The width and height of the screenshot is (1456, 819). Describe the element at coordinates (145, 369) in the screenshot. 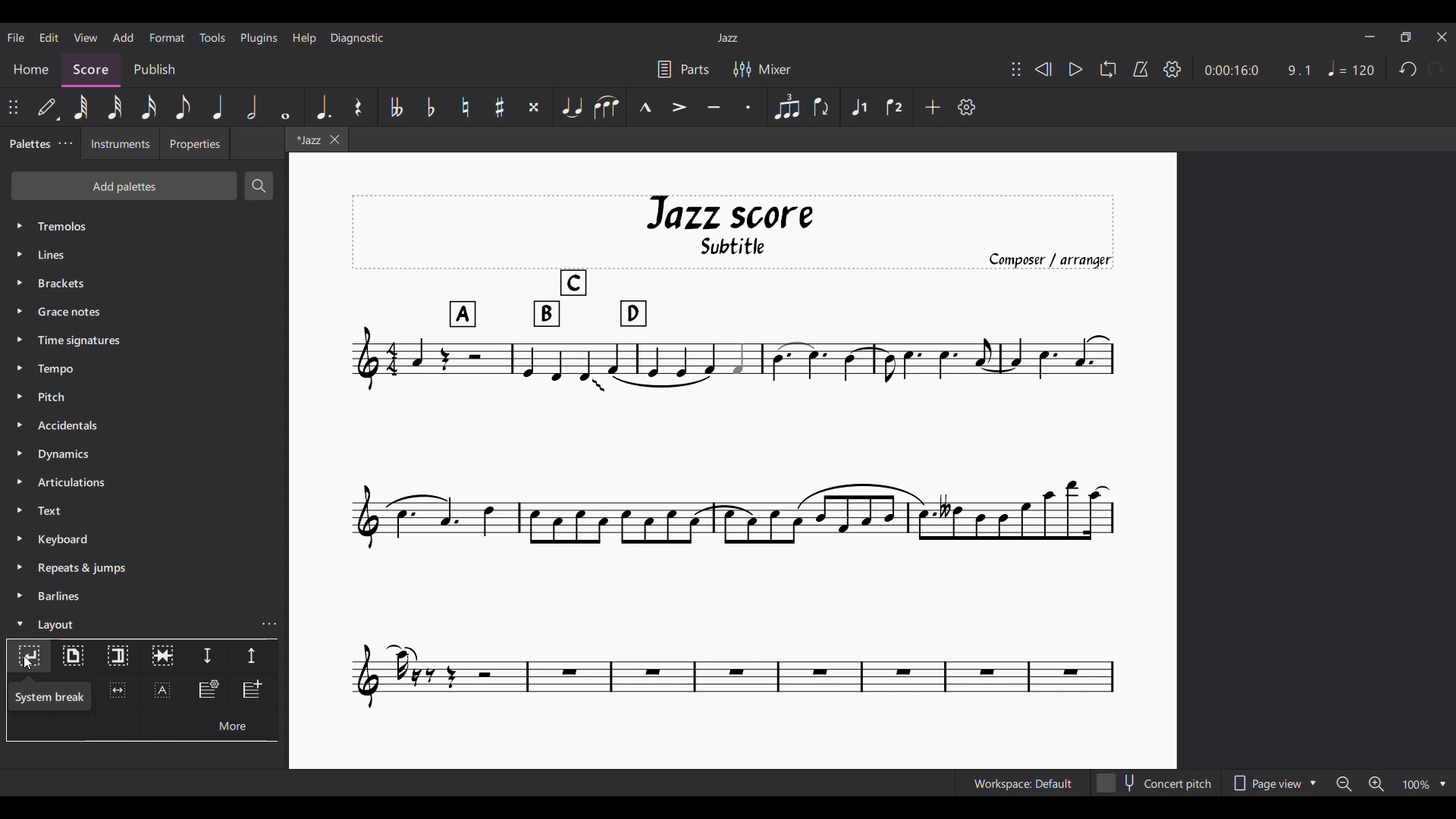

I see `Tempo` at that location.